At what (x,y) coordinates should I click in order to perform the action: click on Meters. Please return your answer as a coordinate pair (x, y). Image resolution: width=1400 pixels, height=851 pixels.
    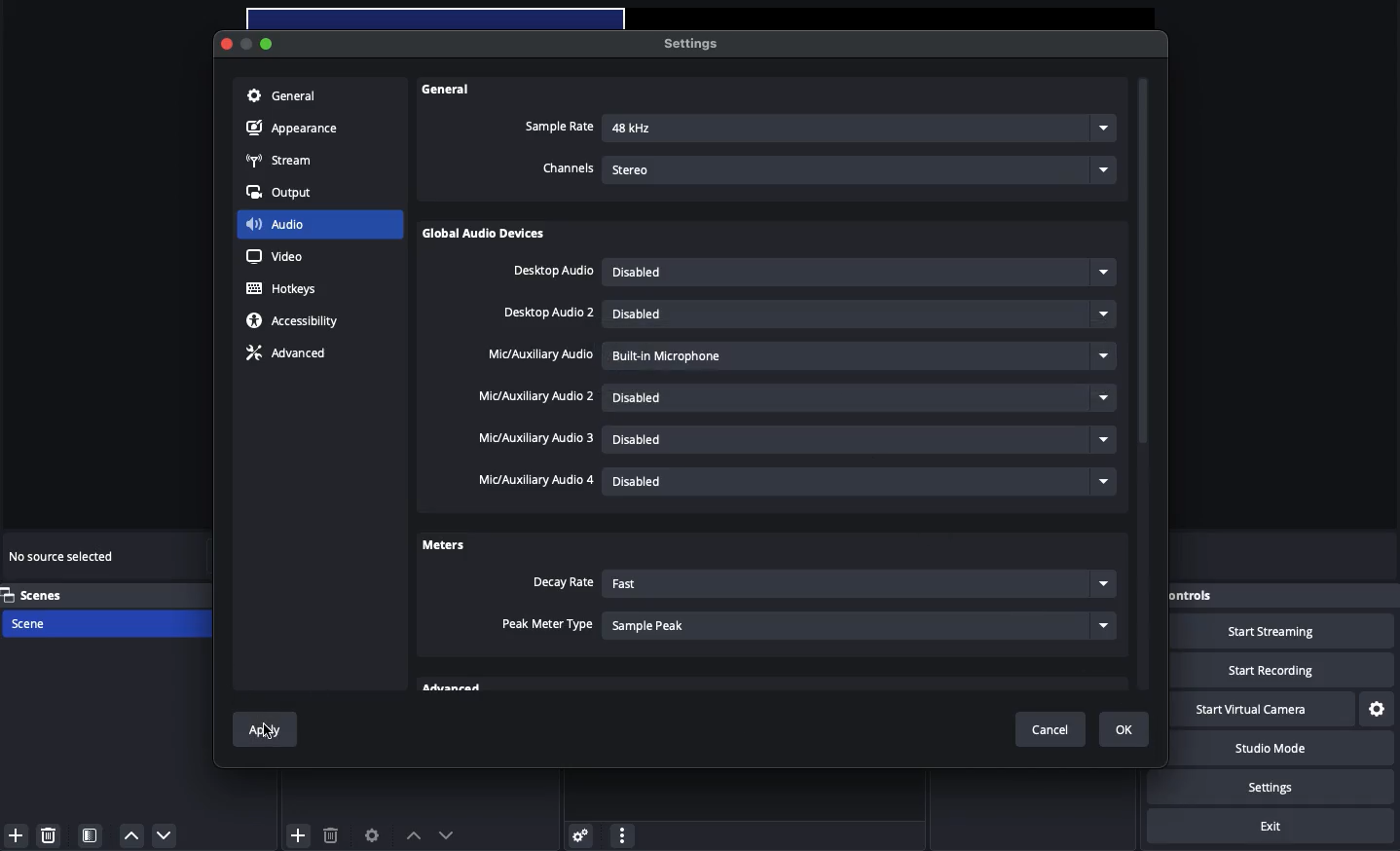
    Looking at the image, I should click on (443, 543).